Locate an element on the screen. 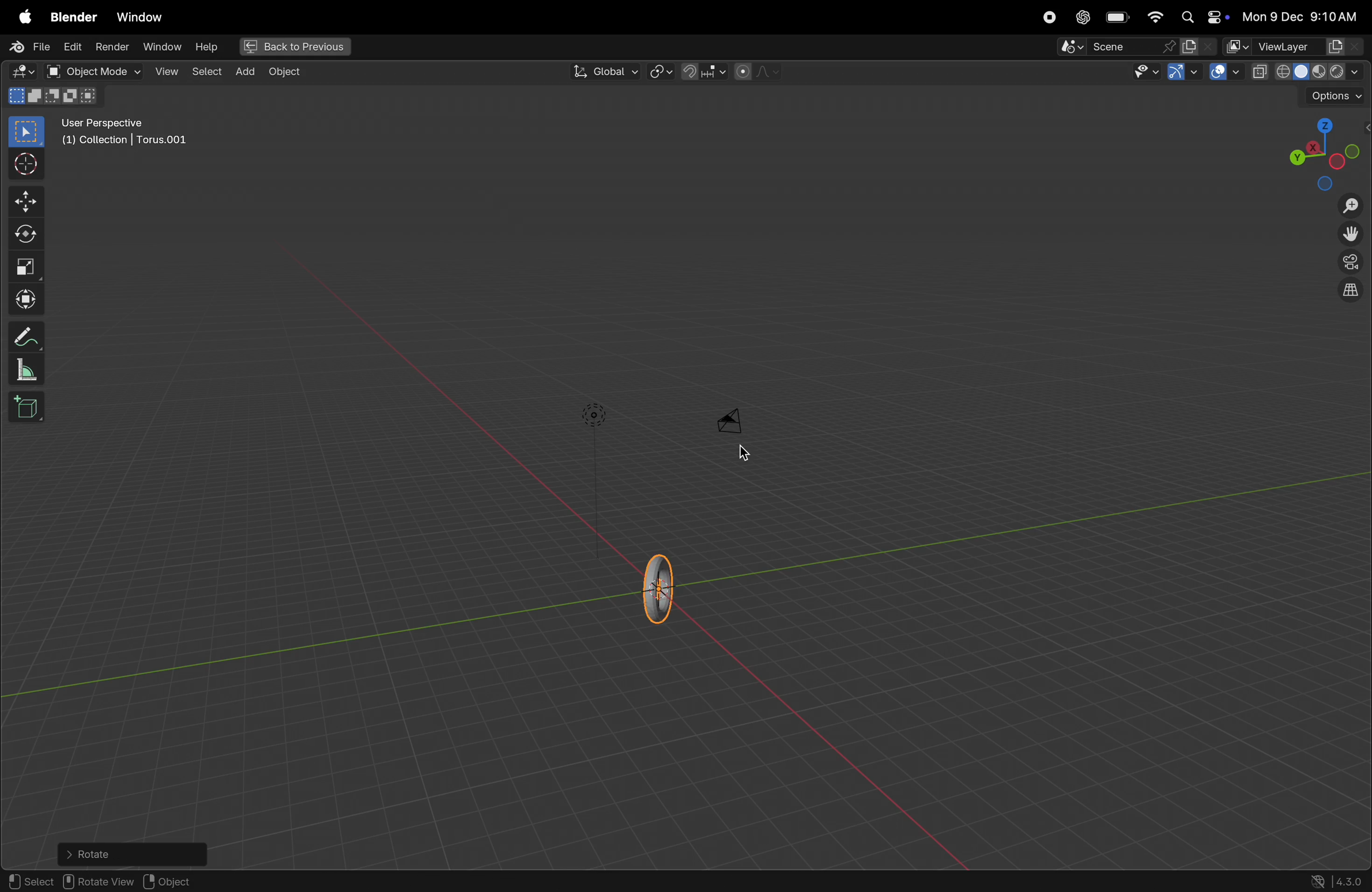  view is located at coordinates (166, 71).